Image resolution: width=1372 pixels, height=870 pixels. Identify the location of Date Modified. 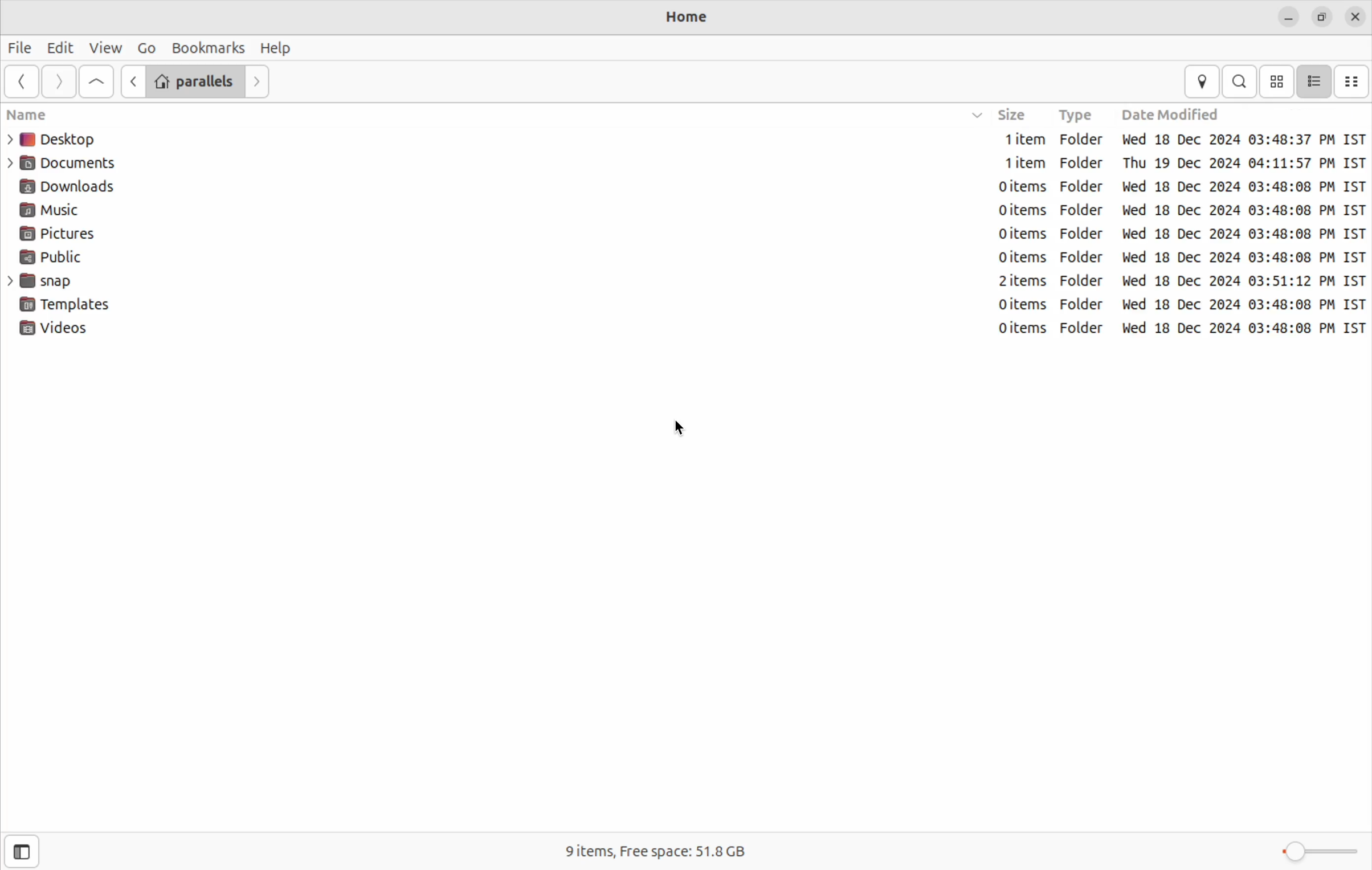
(1182, 112).